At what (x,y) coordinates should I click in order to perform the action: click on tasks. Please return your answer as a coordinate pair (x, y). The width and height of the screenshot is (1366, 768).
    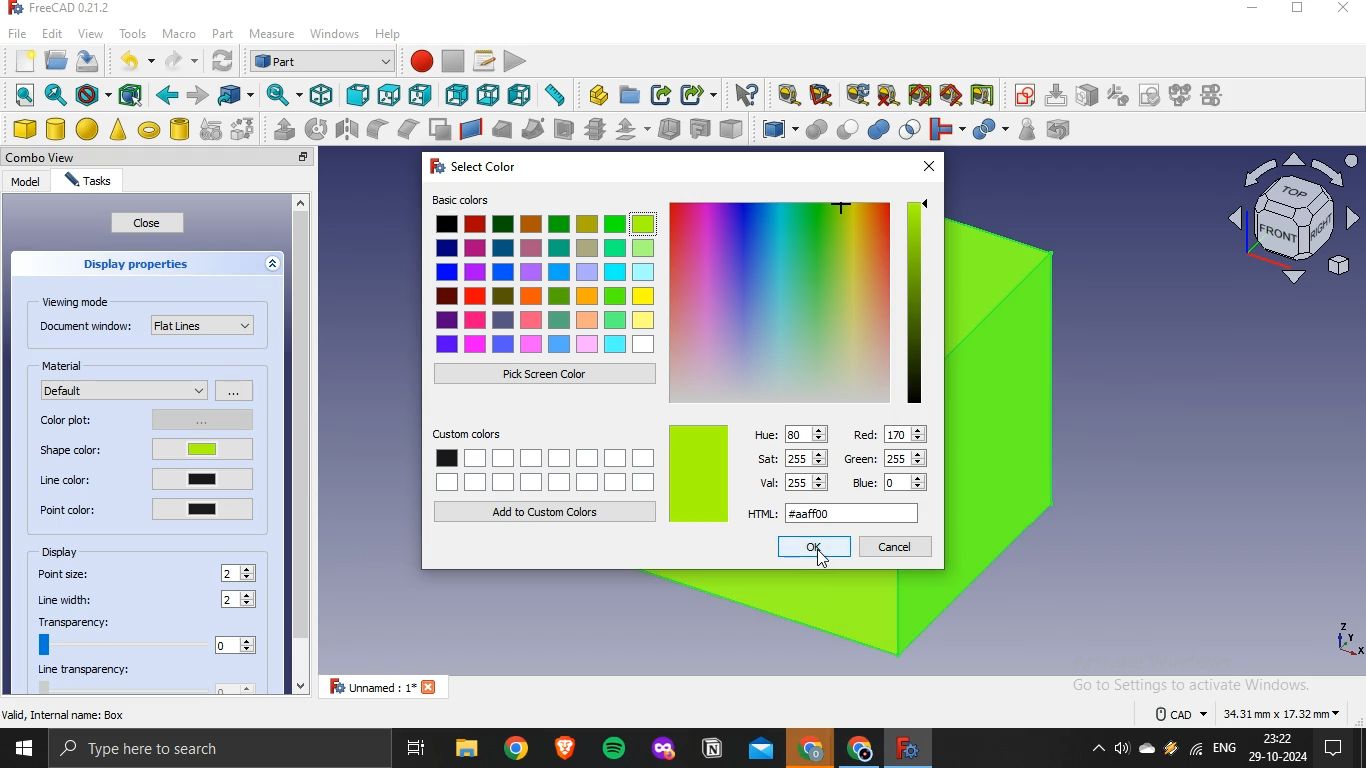
    Looking at the image, I should click on (86, 182).